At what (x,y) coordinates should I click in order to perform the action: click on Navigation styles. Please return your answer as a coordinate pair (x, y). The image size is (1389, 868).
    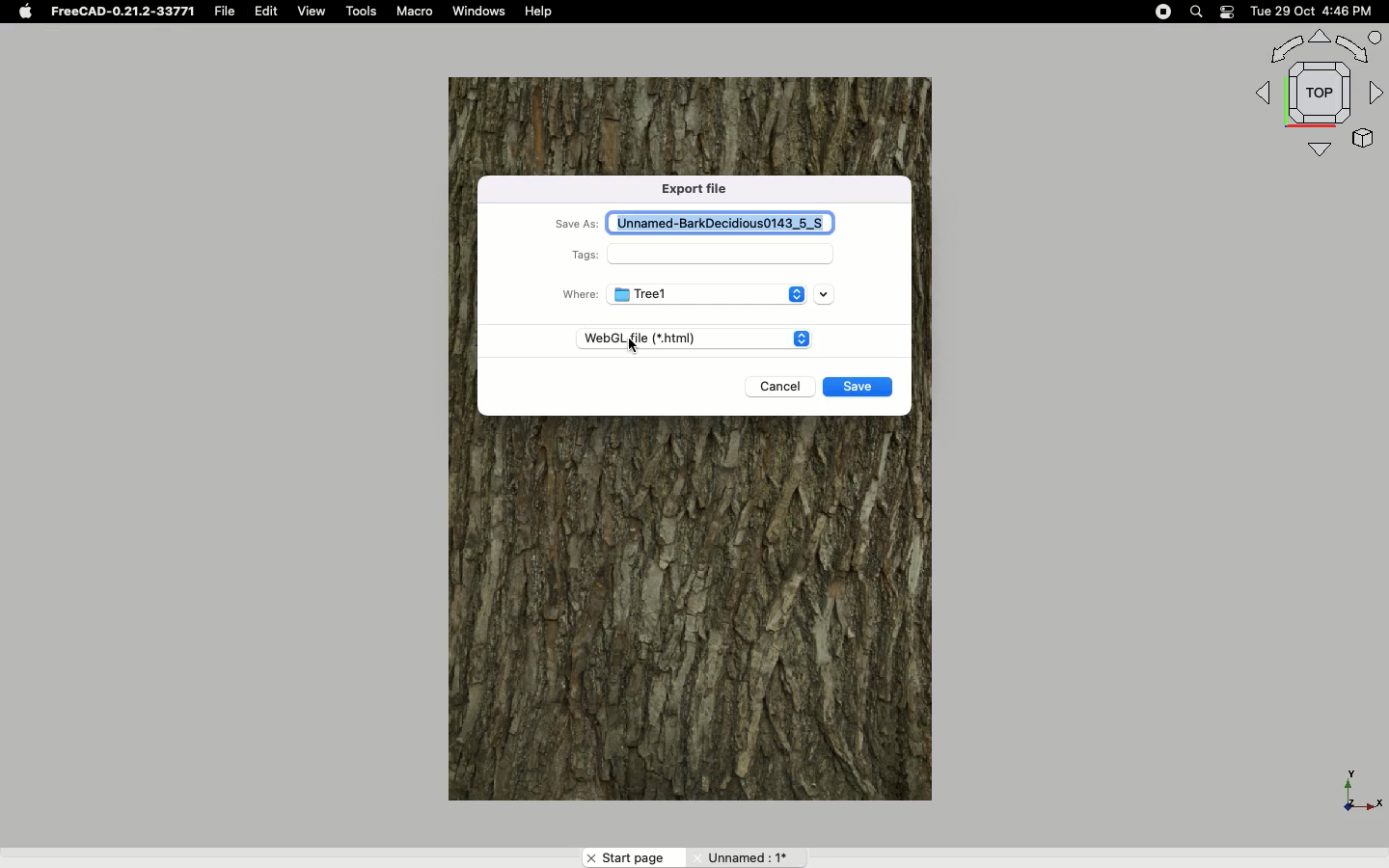
    Looking at the image, I should click on (1316, 93).